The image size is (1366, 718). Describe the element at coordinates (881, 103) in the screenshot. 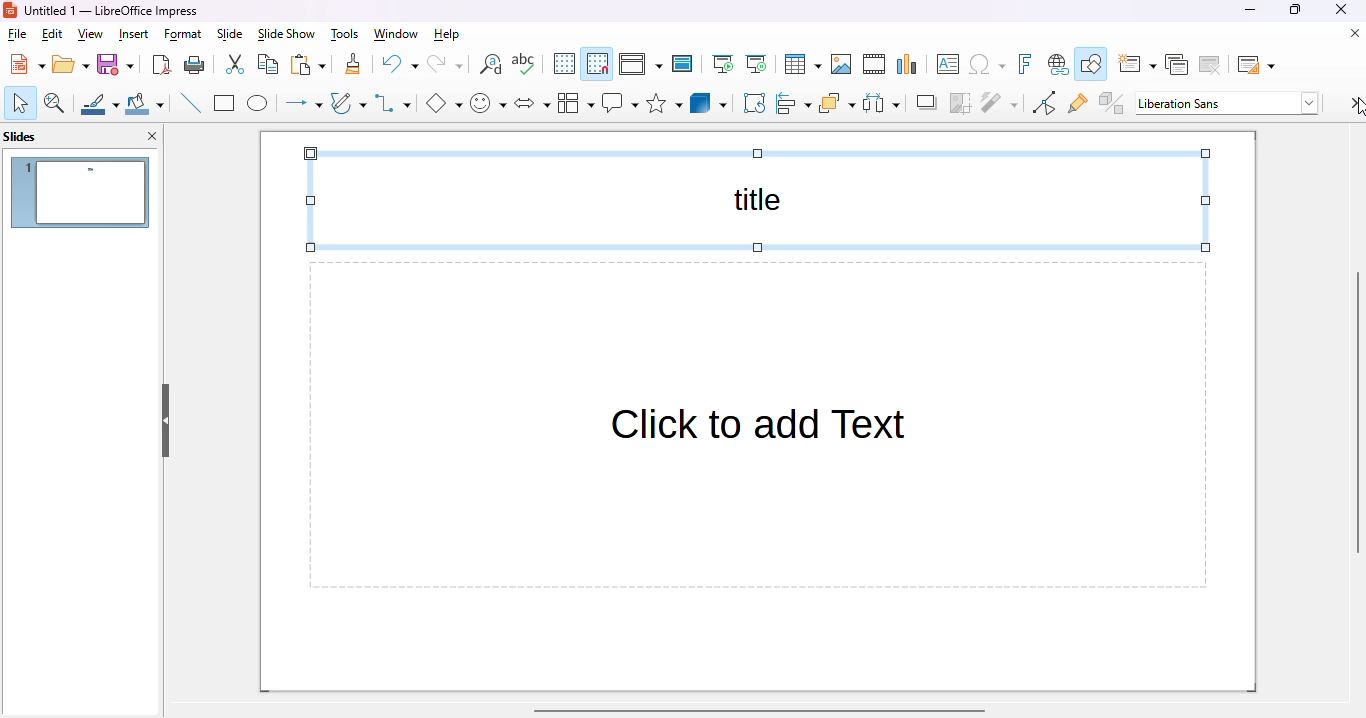

I see `select at least three objects to distribute` at that location.